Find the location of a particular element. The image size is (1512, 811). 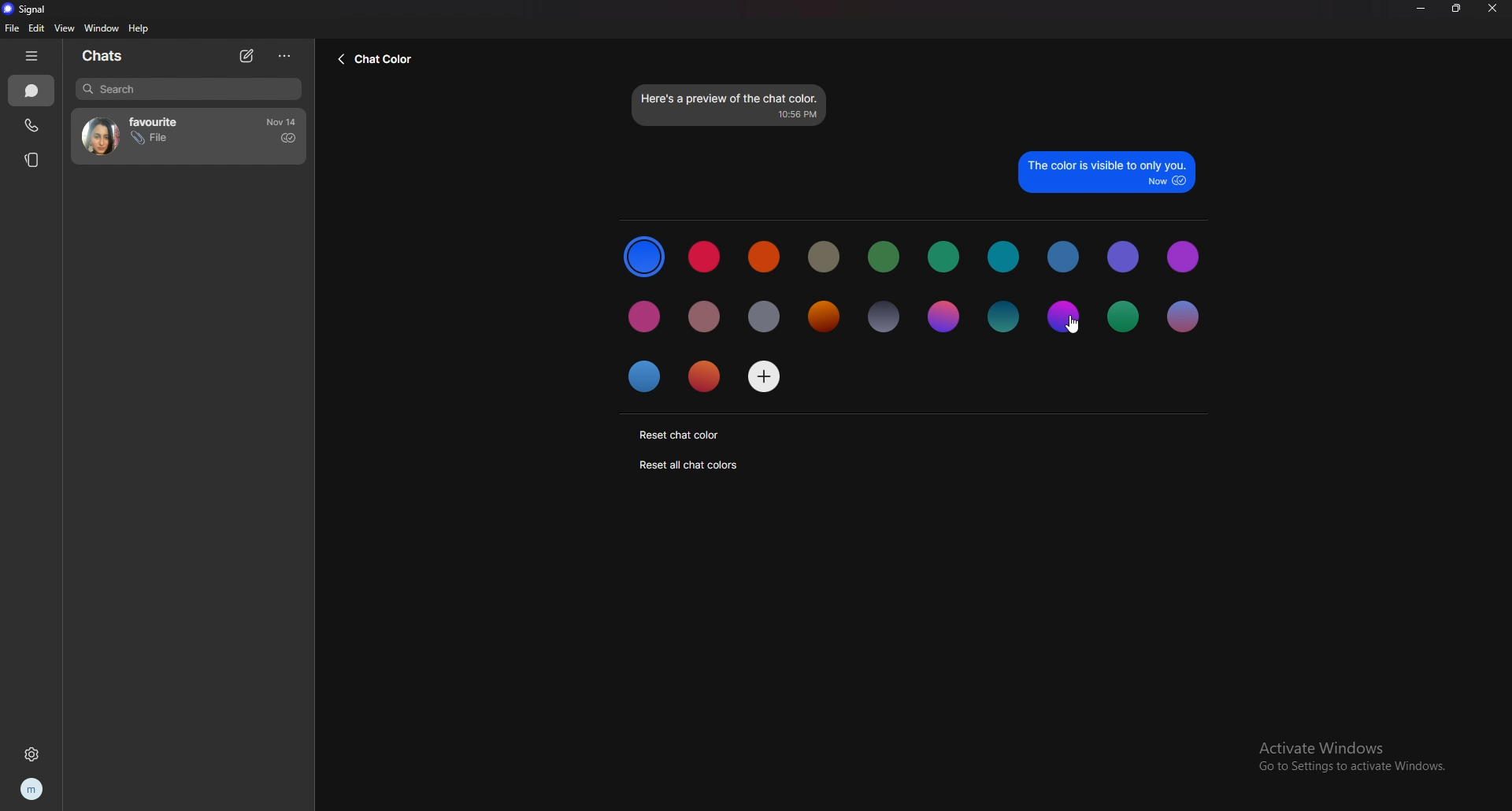

settings is located at coordinates (36, 755).